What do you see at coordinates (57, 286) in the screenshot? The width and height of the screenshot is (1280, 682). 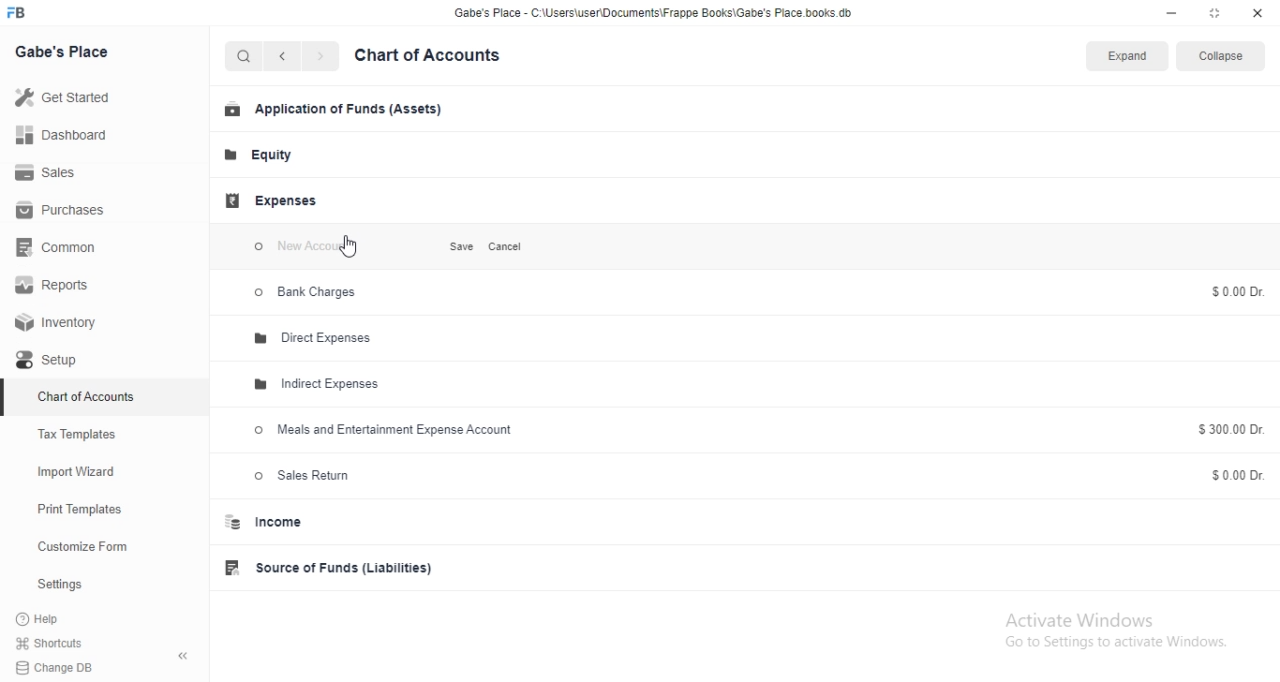 I see `Reports` at bounding box center [57, 286].